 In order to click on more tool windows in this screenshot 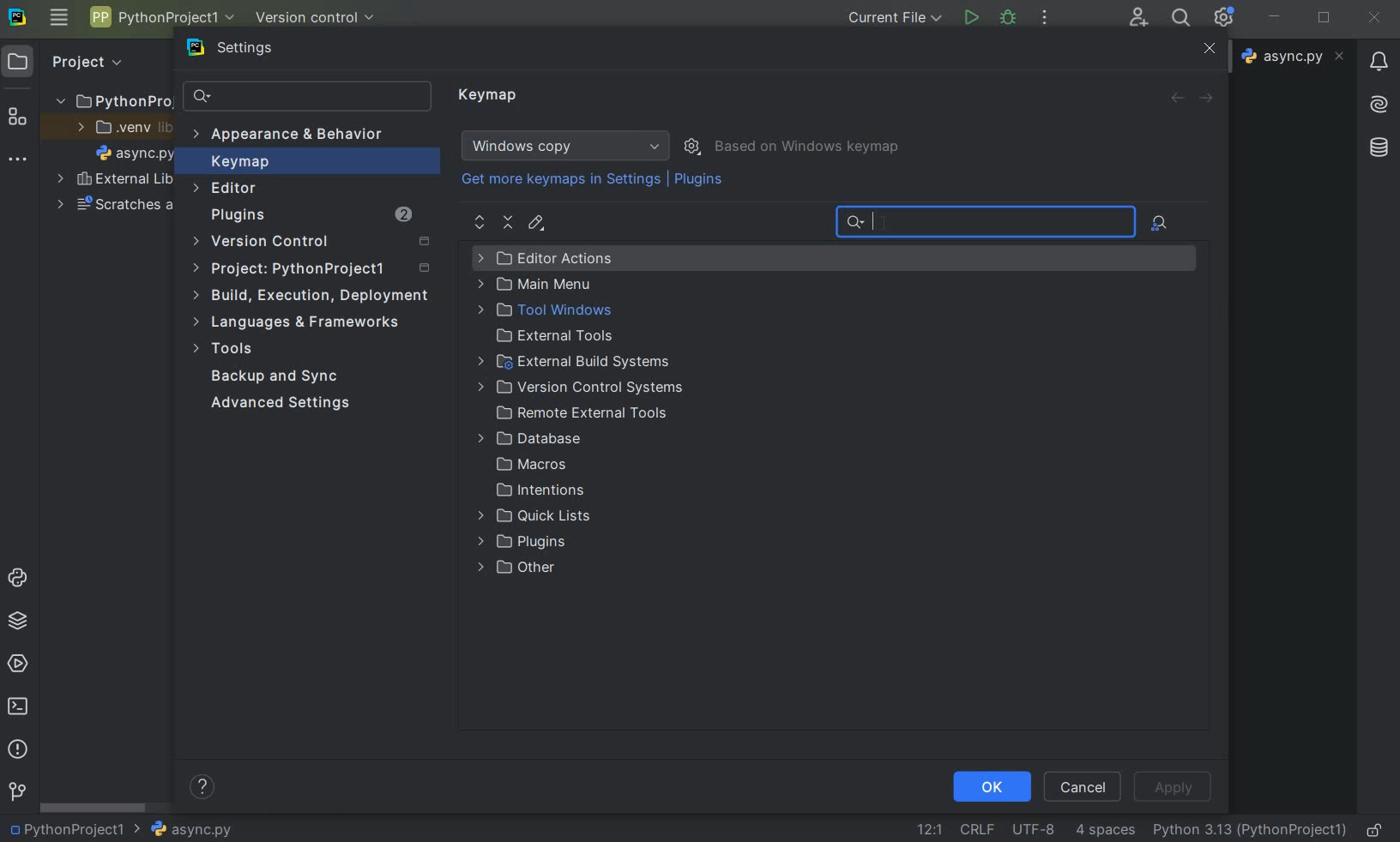, I will do `click(15, 159)`.